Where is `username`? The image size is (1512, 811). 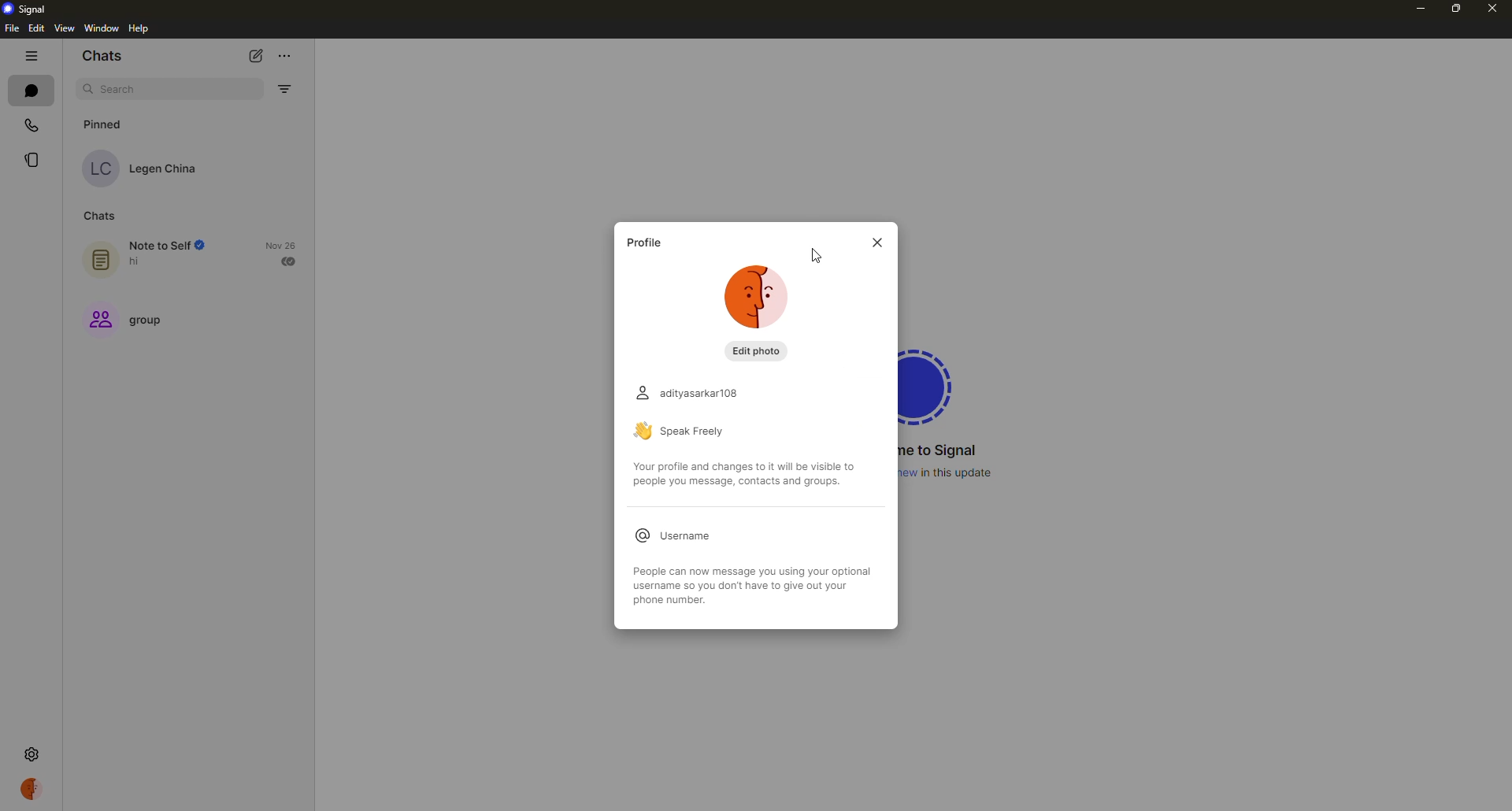
username is located at coordinates (670, 535).